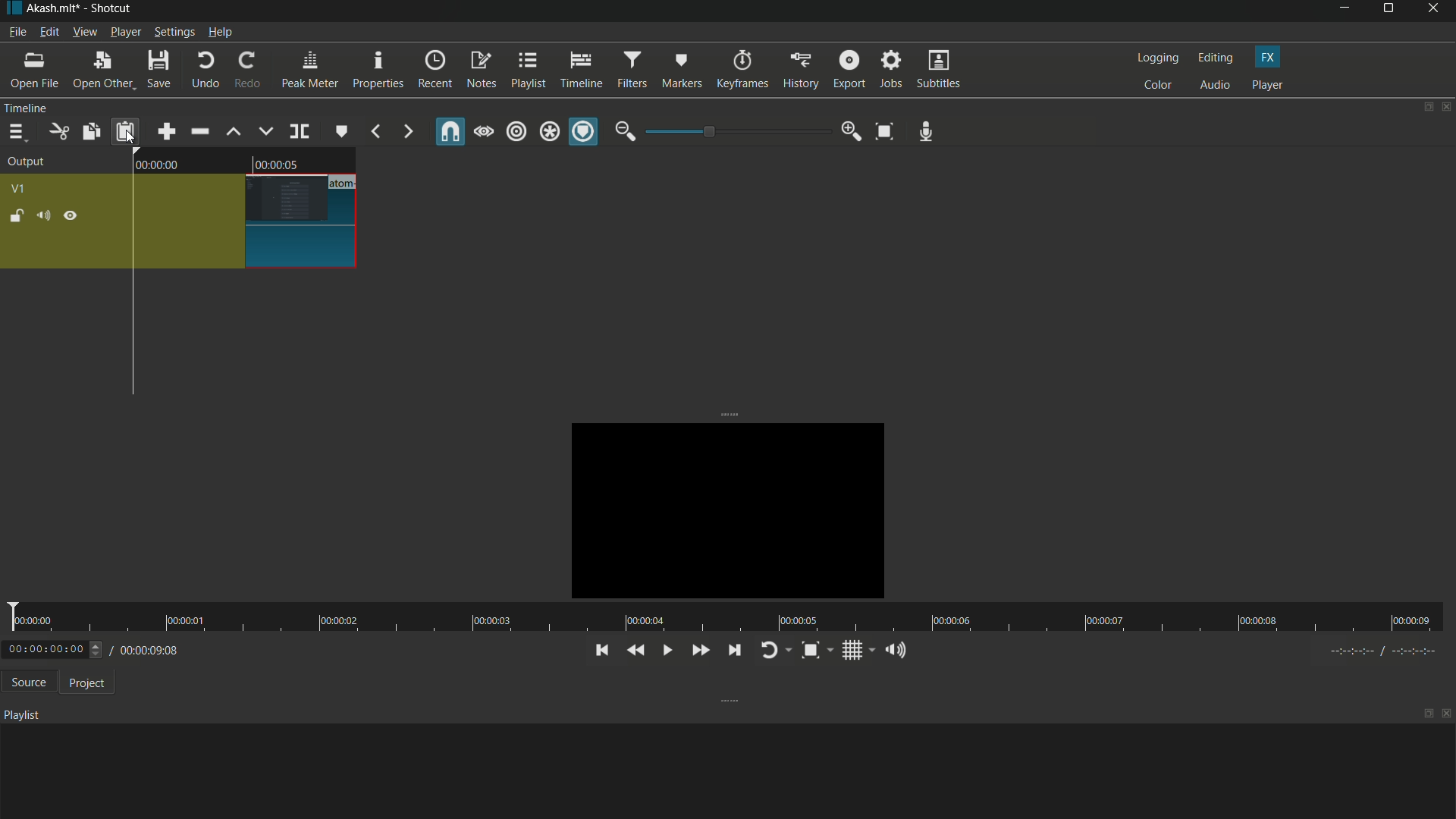 This screenshot has width=1456, height=819. I want to click on notes, so click(482, 71).